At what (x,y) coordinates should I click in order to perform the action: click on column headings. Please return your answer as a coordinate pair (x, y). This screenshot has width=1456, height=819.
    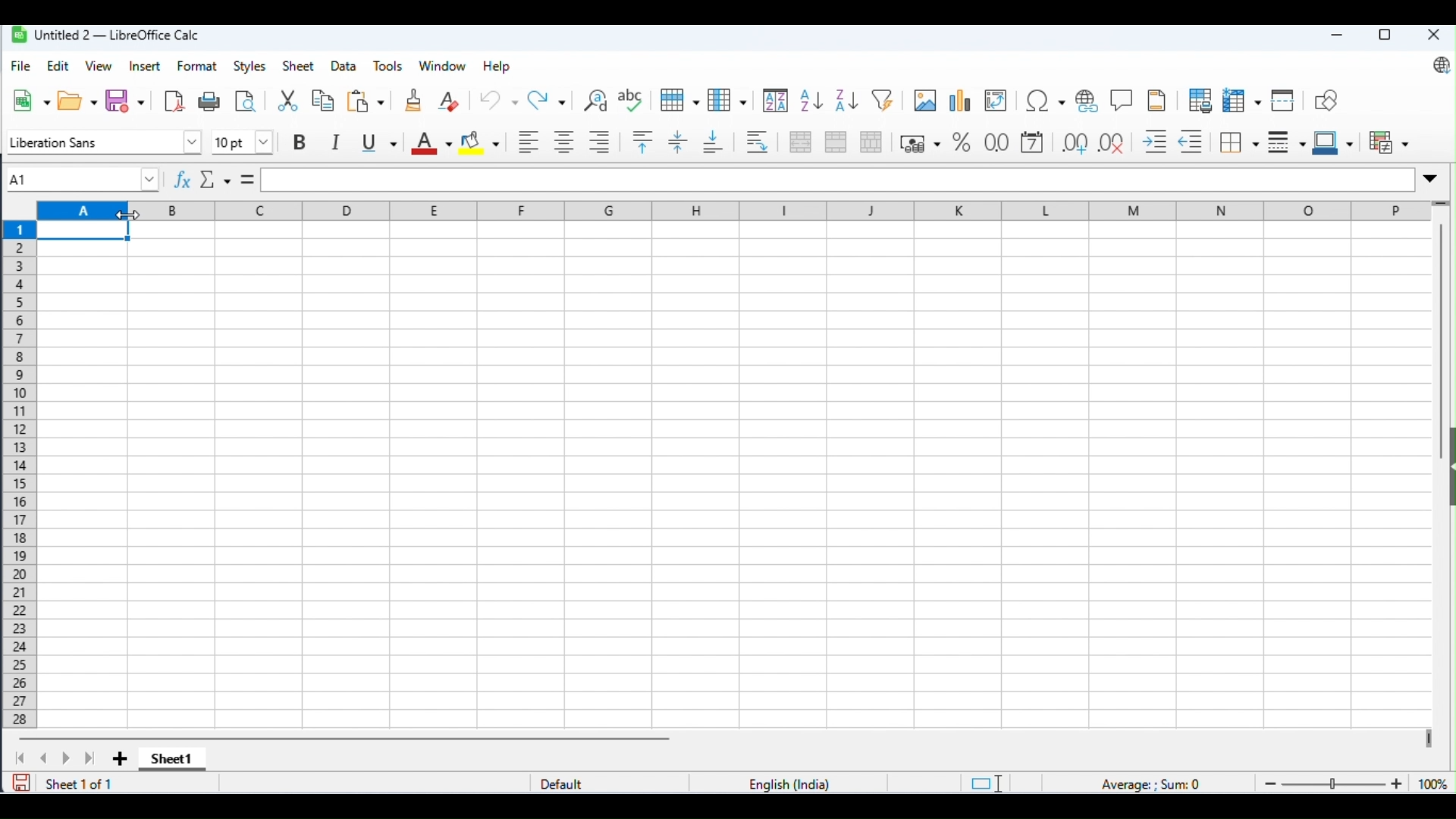
    Looking at the image, I should click on (736, 211).